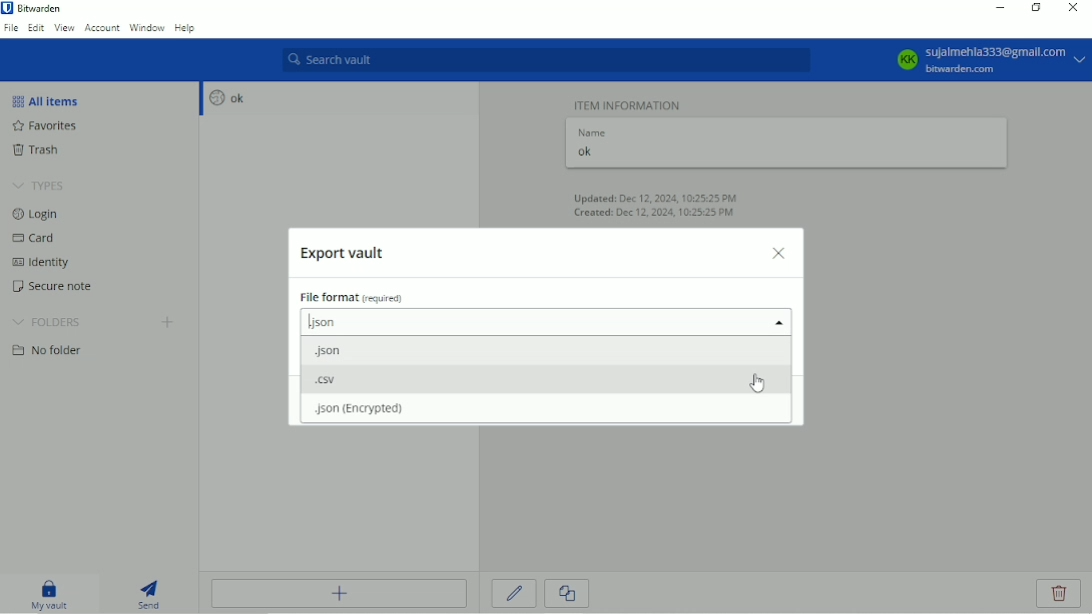  What do you see at coordinates (186, 29) in the screenshot?
I see `Help` at bounding box center [186, 29].